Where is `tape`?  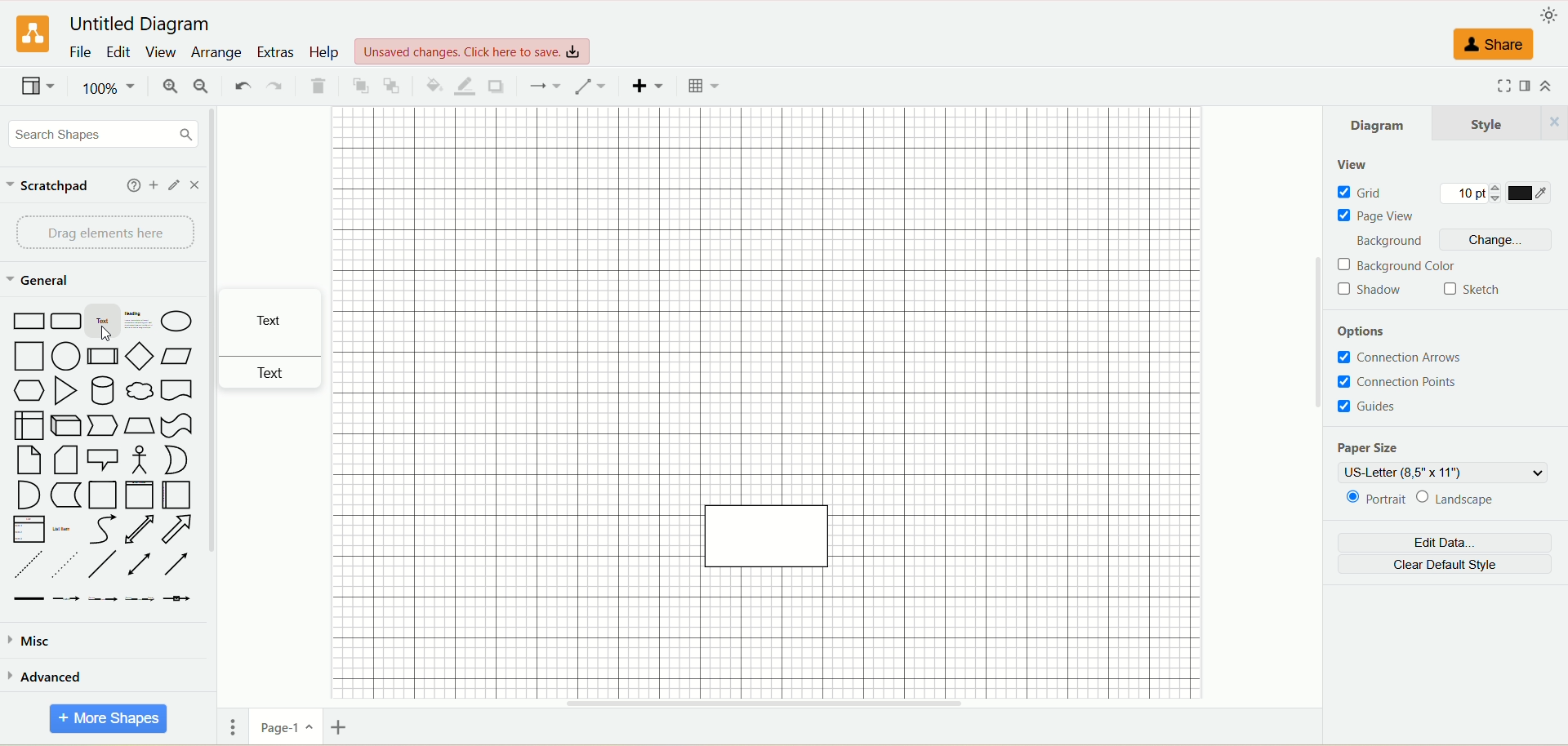 tape is located at coordinates (179, 425).